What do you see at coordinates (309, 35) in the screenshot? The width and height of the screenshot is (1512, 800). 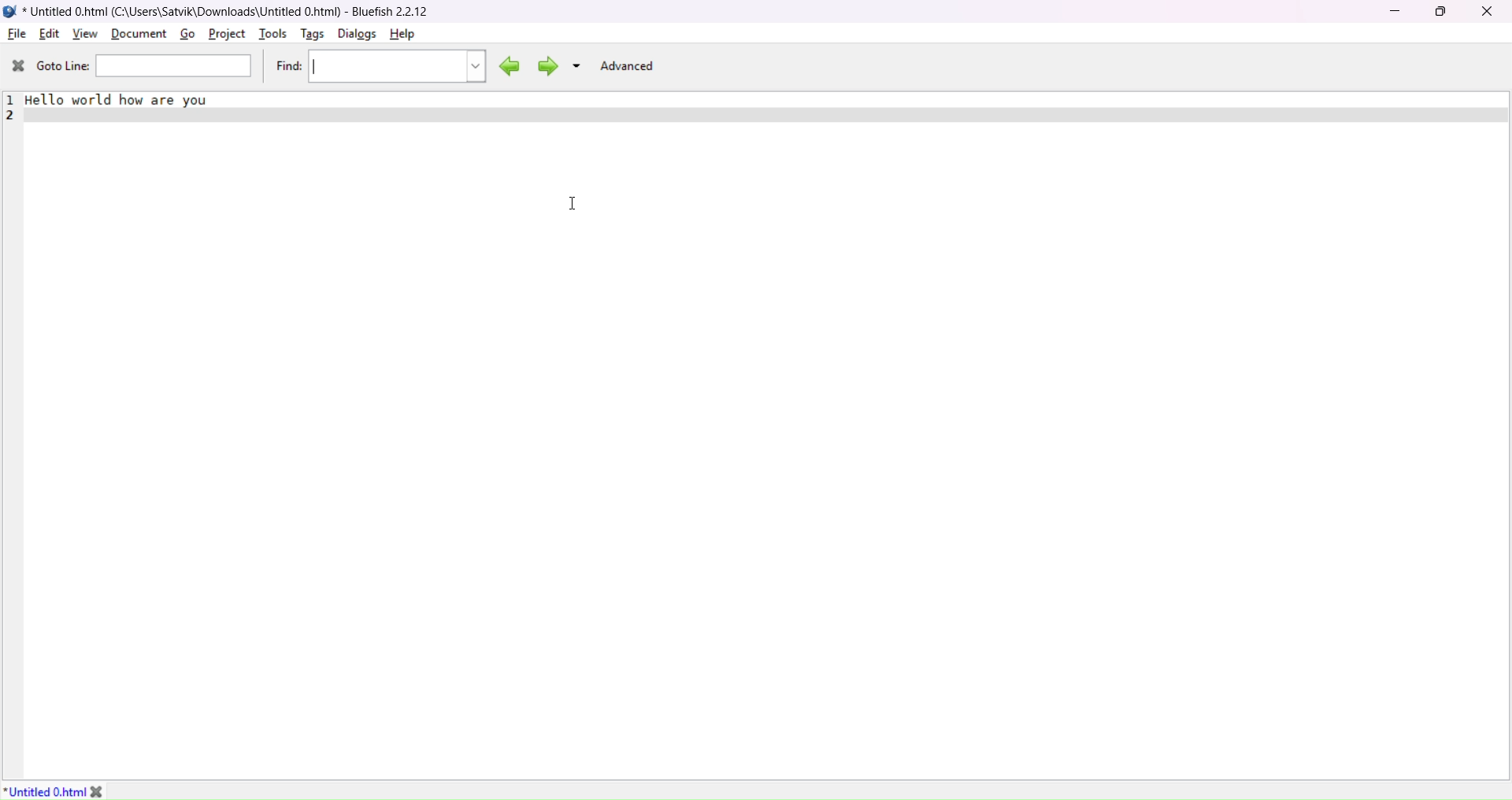 I see `tags` at bounding box center [309, 35].